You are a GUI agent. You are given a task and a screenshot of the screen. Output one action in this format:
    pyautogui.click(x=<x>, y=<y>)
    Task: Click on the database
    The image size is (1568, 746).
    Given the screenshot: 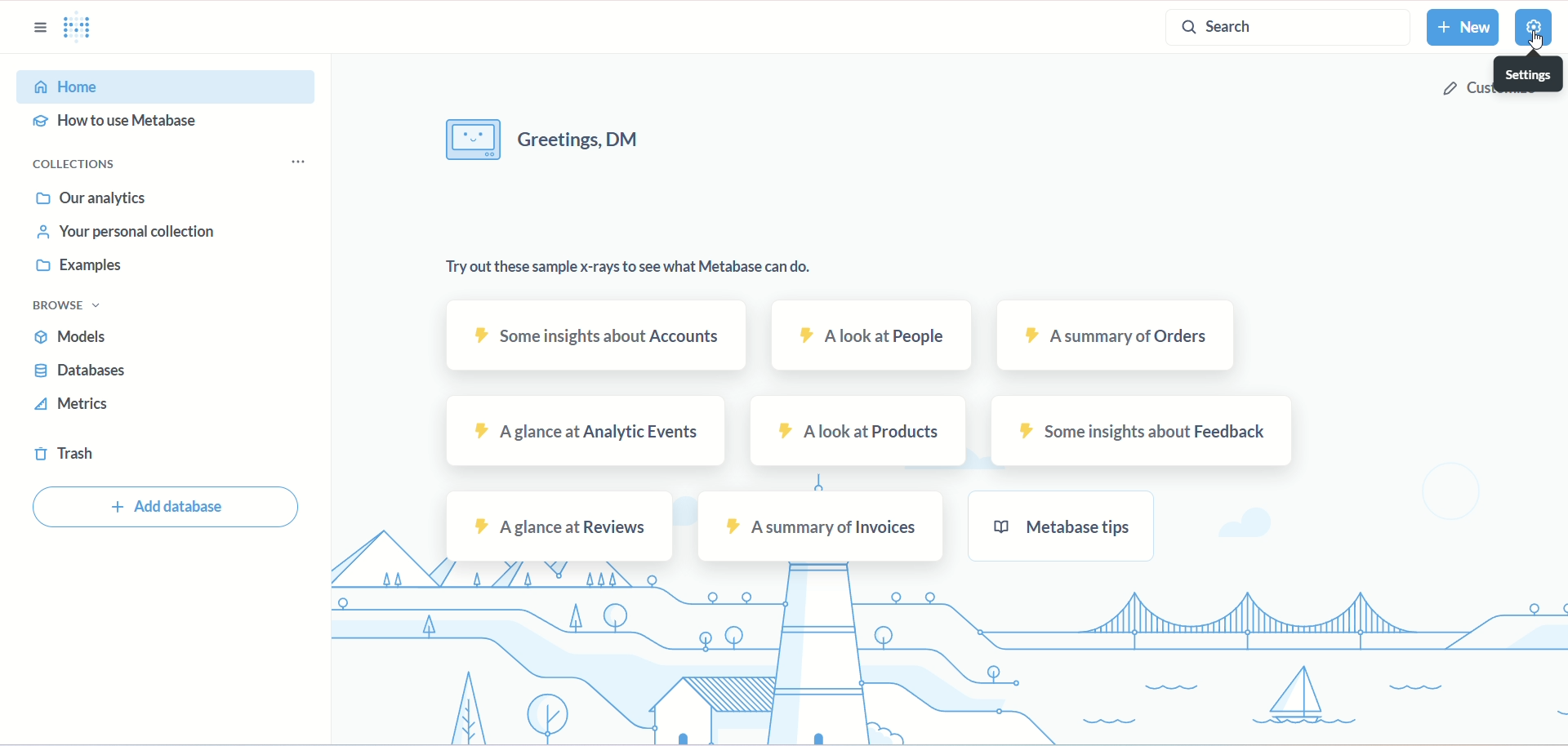 What is the action you would take?
    pyautogui.click(x=91, y=374)
    